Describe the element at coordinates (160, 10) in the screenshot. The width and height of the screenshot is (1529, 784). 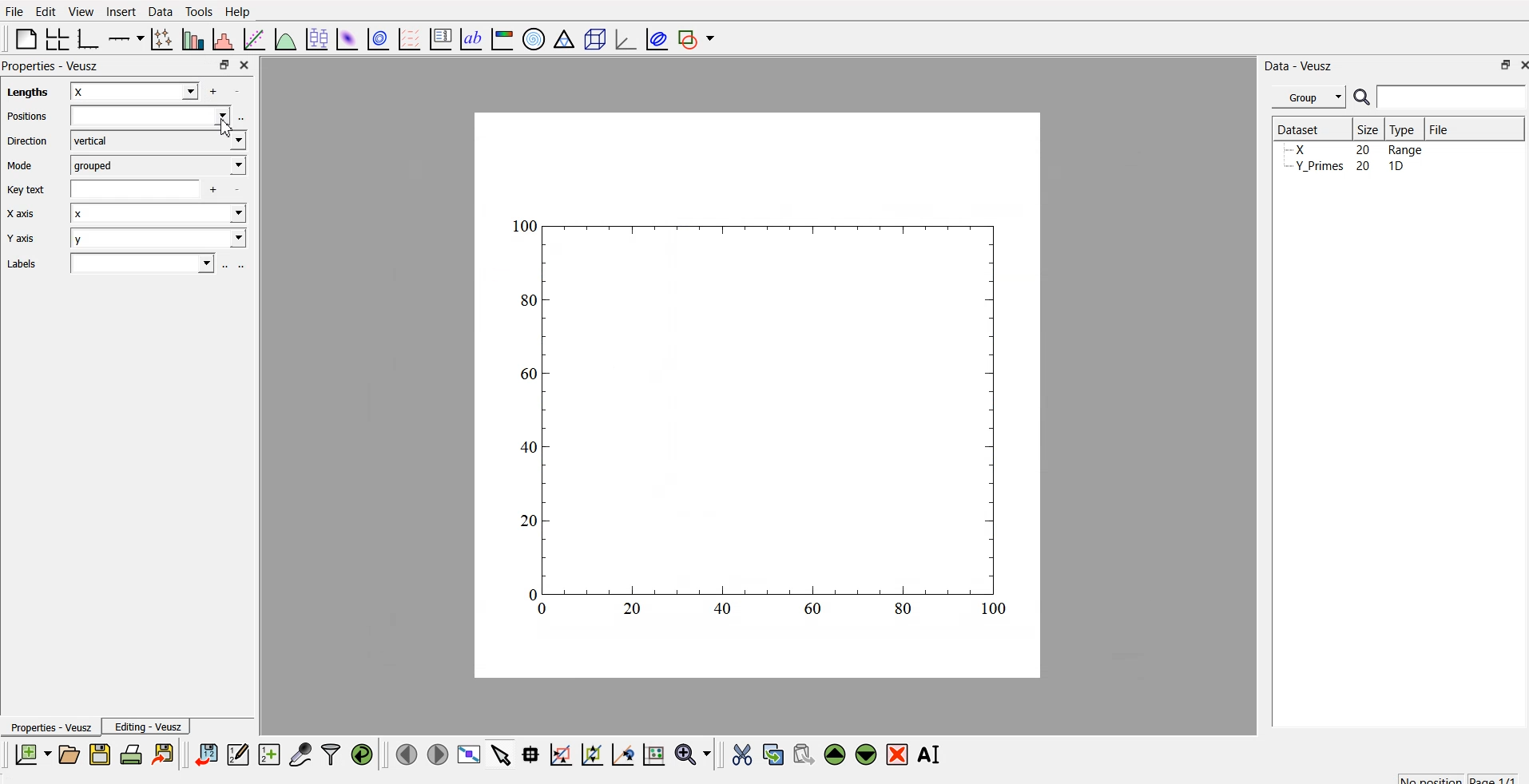
I see `Data` at that location.